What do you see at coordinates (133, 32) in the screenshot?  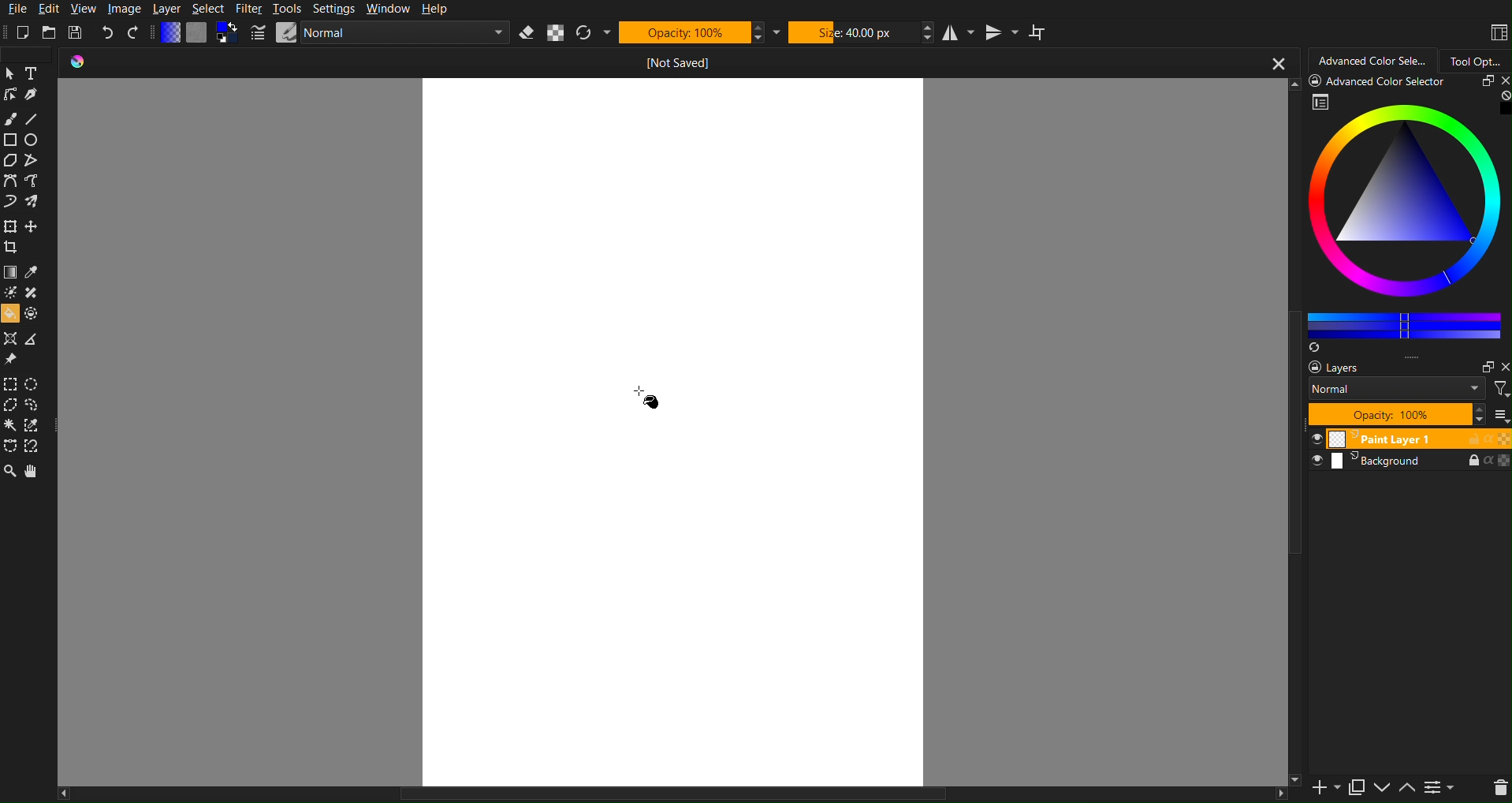 I see `Redo` at bounding box center [133, 32].